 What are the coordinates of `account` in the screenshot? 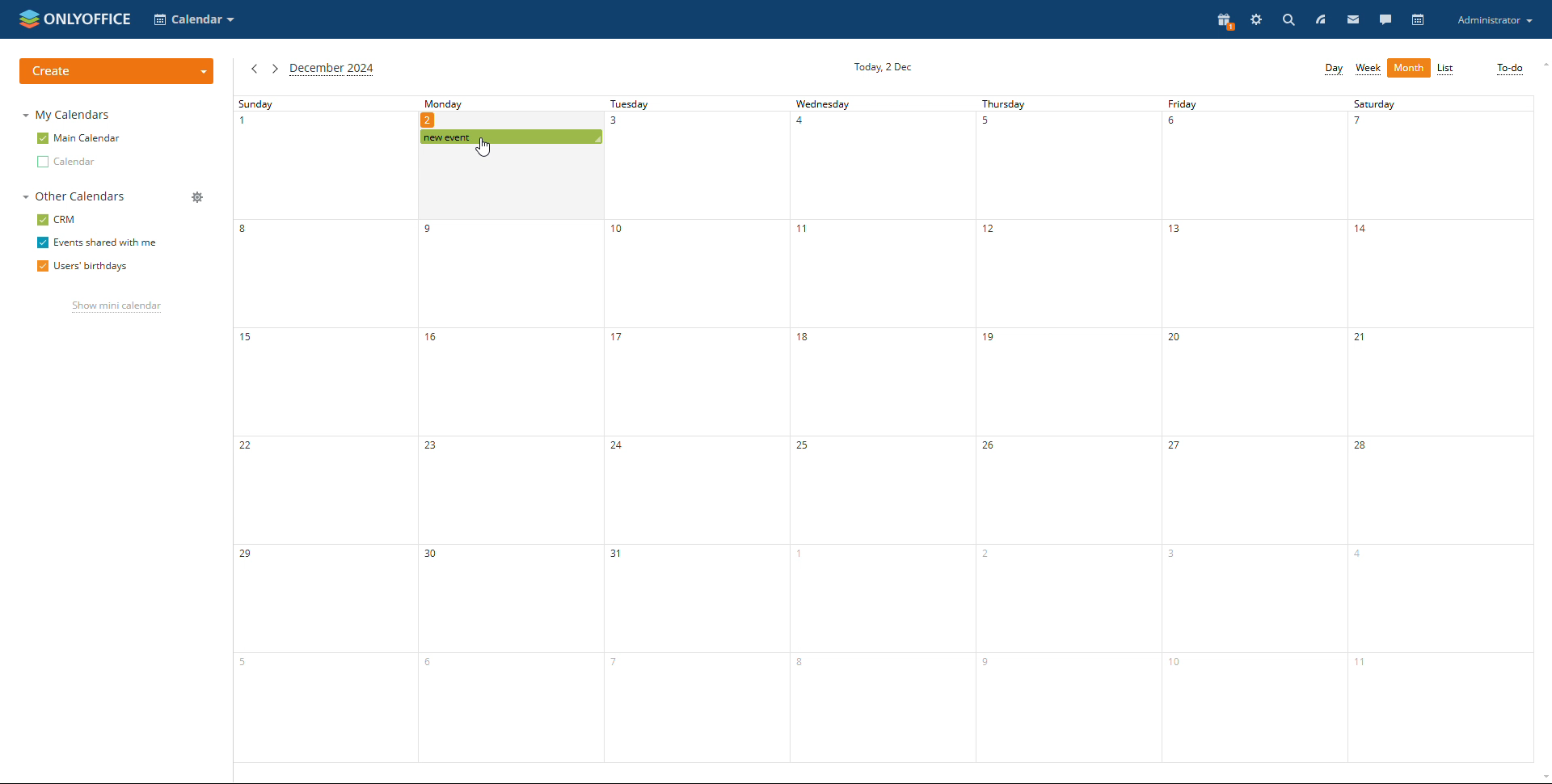 It's located at (1494, 20).